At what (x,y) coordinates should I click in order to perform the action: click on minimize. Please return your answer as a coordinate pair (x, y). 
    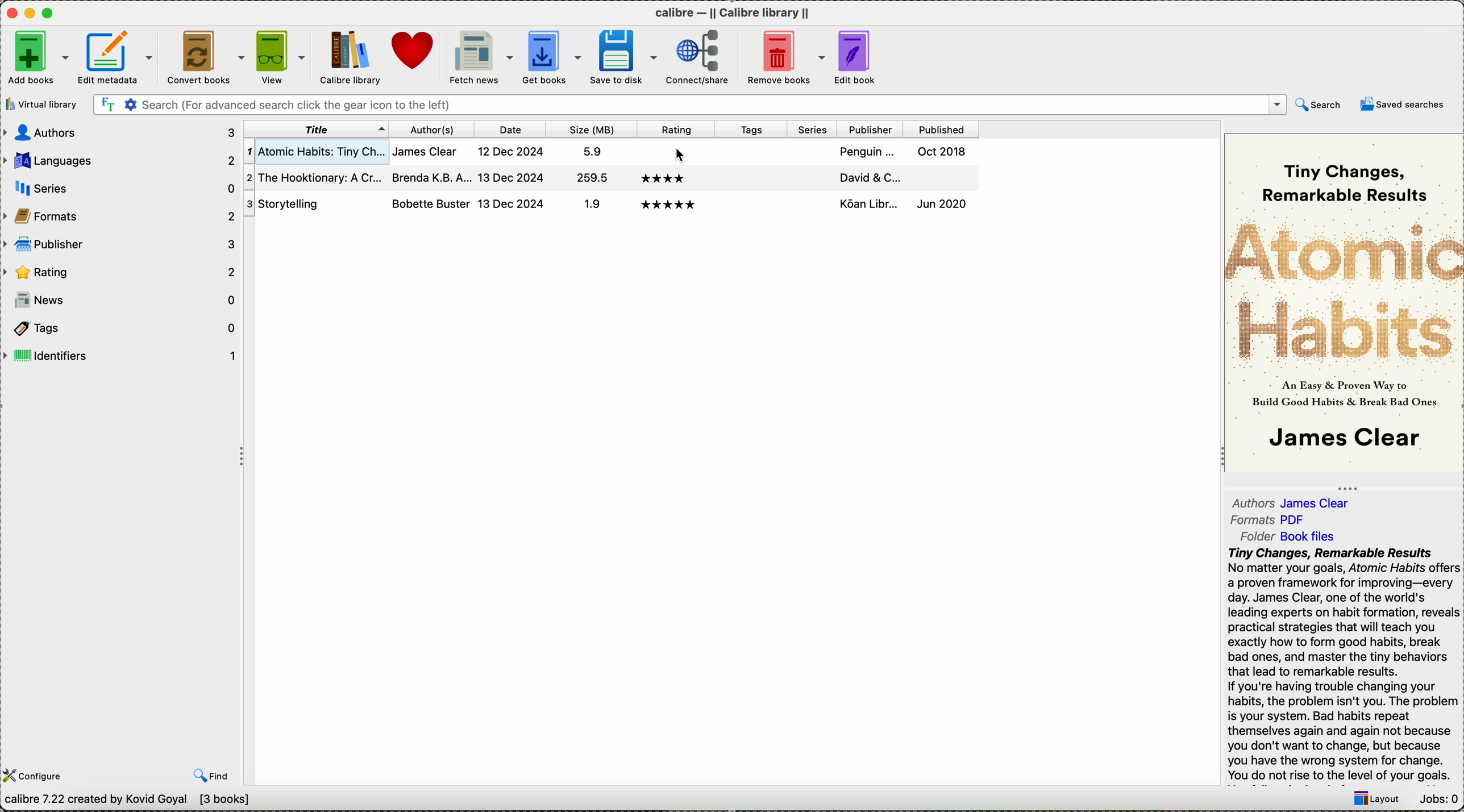
    Looking at the image, I should click on (30, 12).